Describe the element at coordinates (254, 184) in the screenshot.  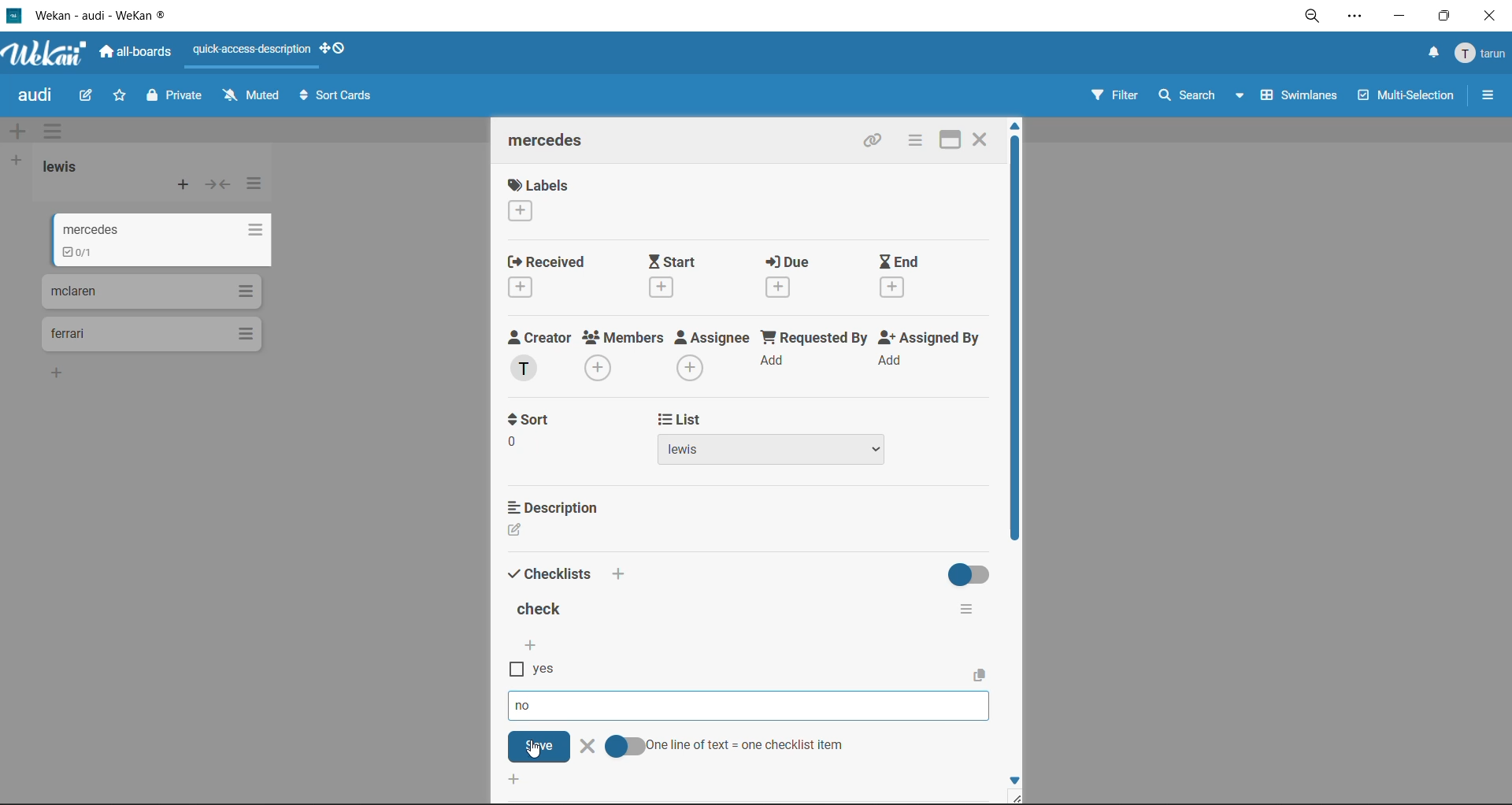
I see `list actions` at that location.